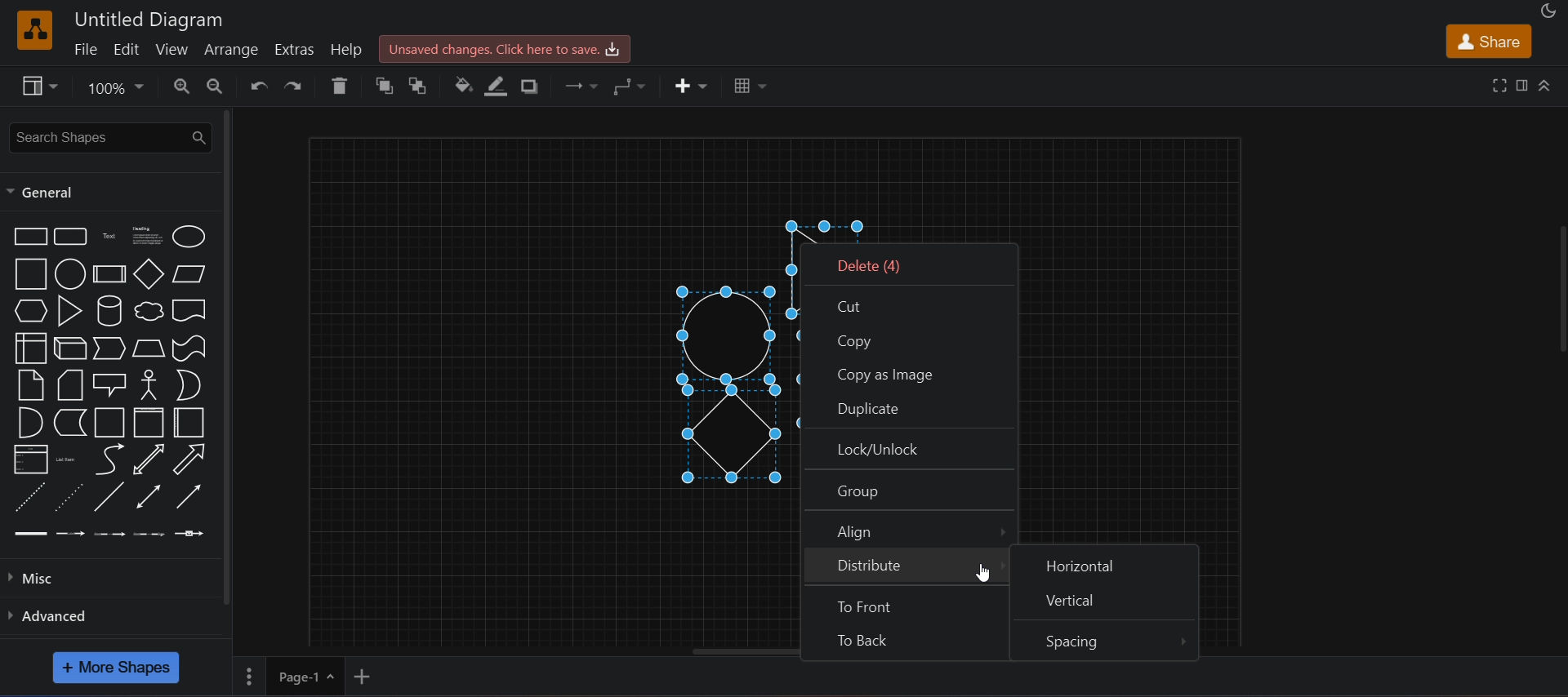 This screenshot has width=1568, height=697. I want to click on rounded rectangle, so click(72, 238).